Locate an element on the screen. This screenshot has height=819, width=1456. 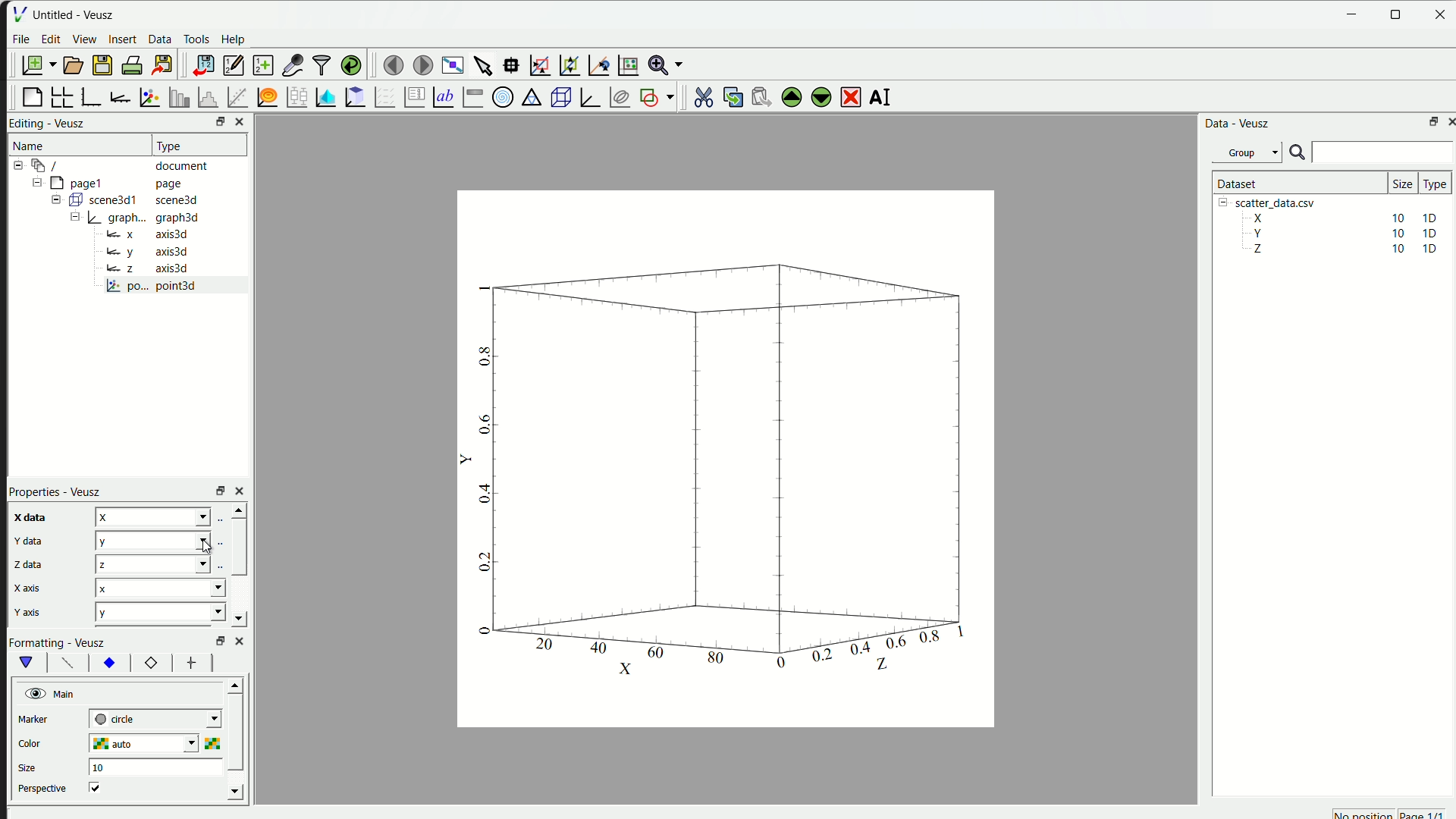
y axis is located at coordinates (27, 609).